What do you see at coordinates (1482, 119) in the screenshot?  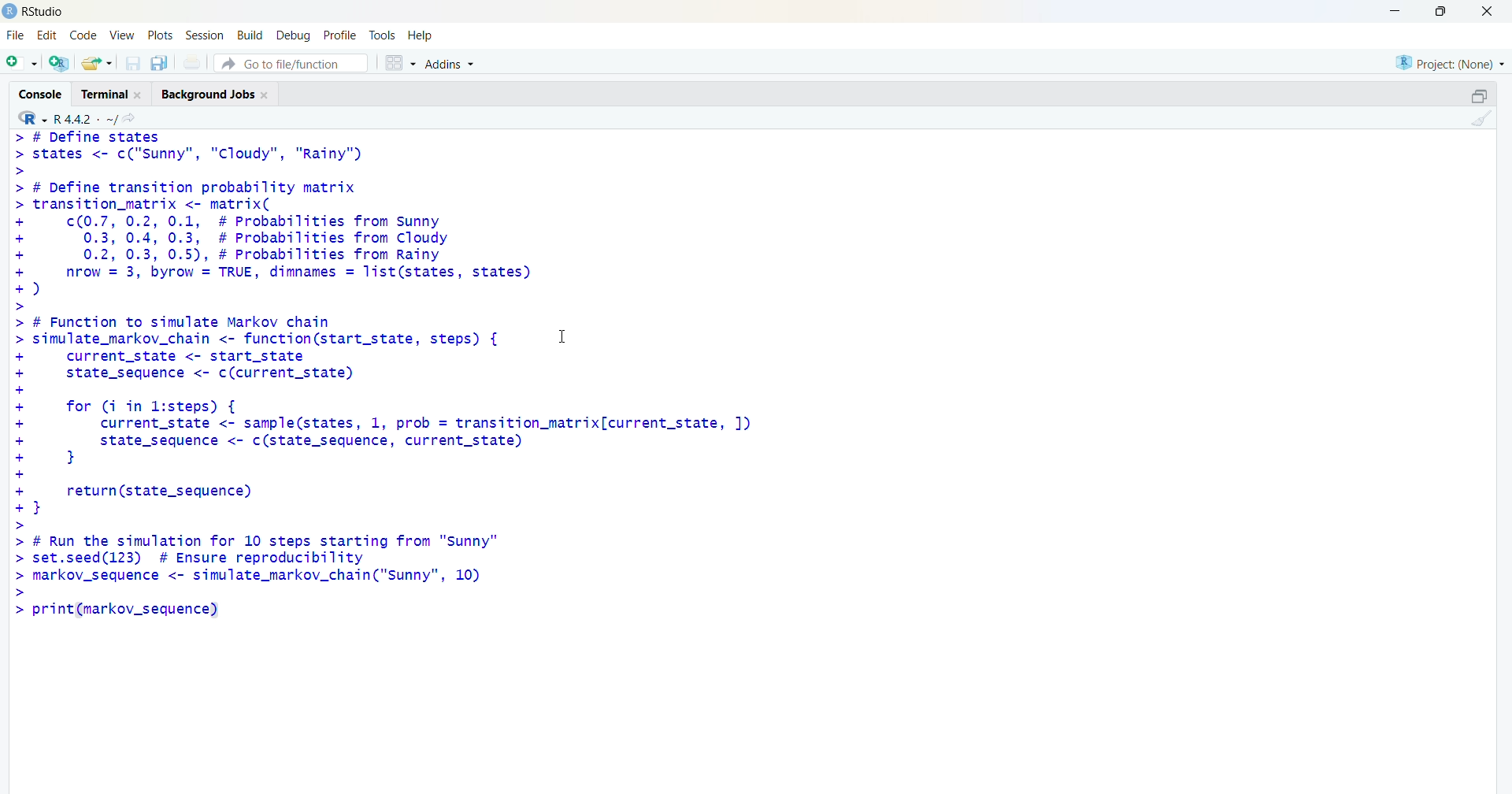 I see `clear console` at bounding box center [1482, 119].